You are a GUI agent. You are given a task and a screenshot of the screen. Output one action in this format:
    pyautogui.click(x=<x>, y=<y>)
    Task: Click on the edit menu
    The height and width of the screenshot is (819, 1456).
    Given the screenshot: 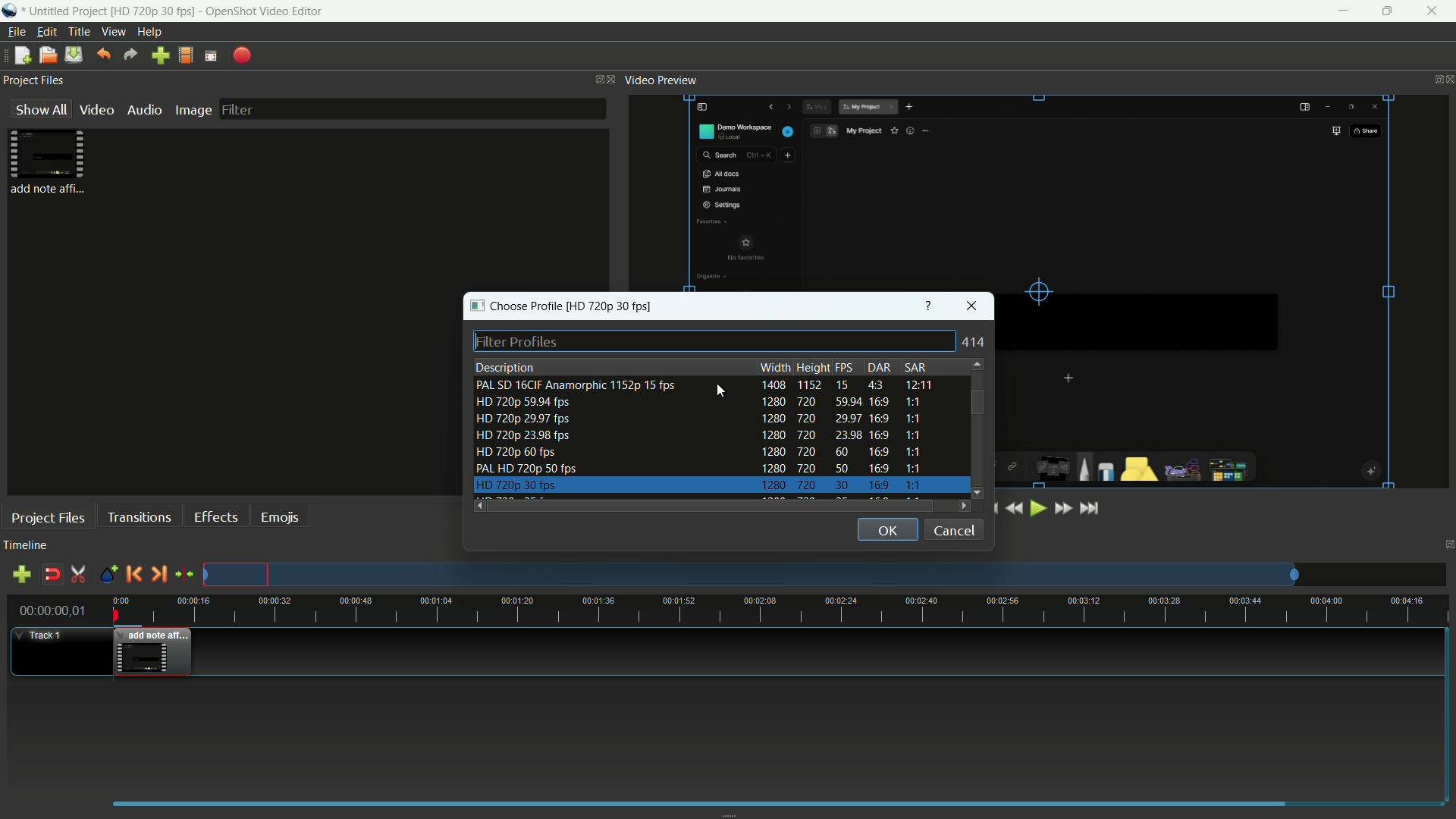 What is the action you would take?
    pyautogui.click(x=47, y=32)
    